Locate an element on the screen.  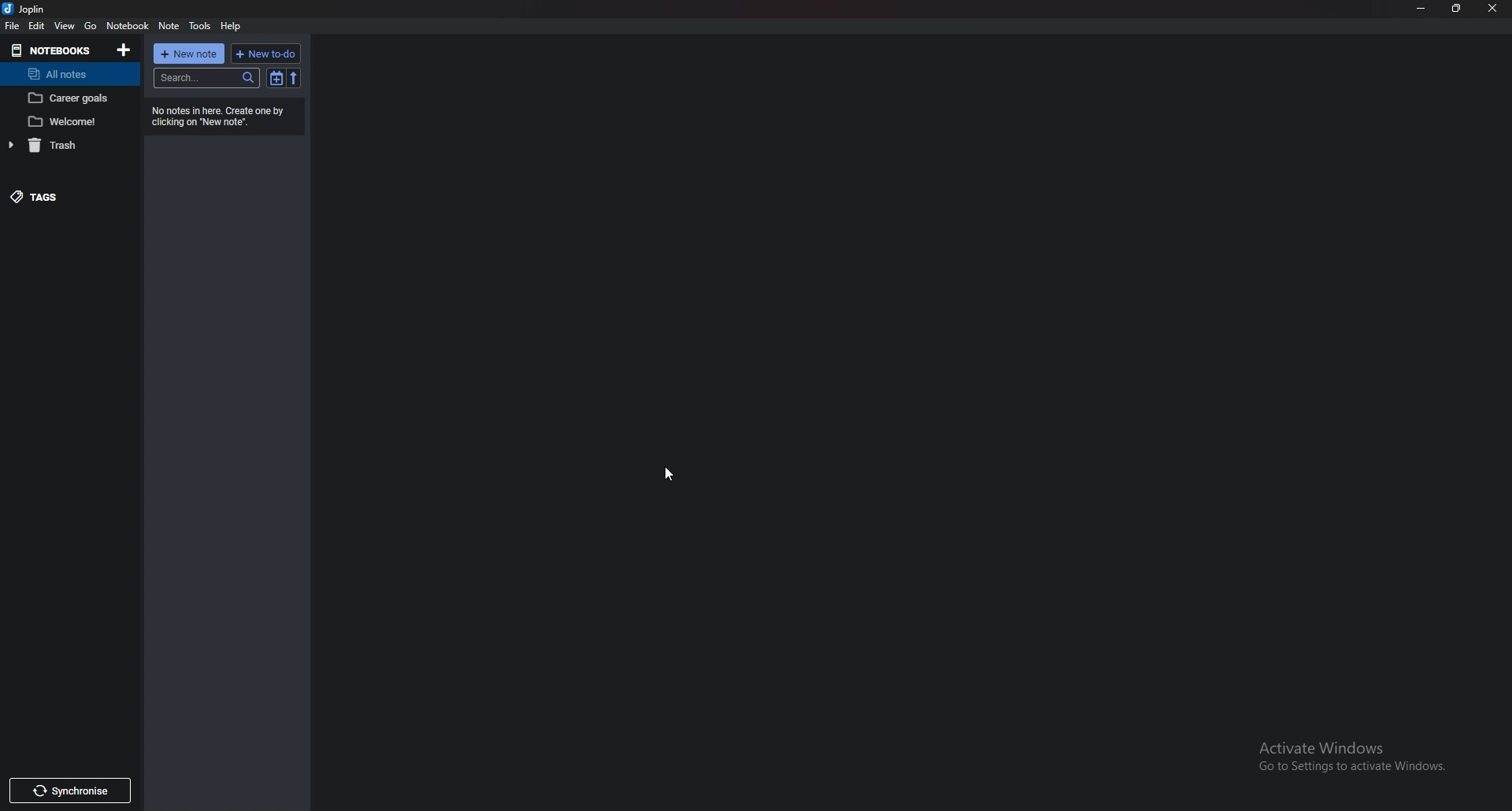
note is located at coordinates (65, 98).